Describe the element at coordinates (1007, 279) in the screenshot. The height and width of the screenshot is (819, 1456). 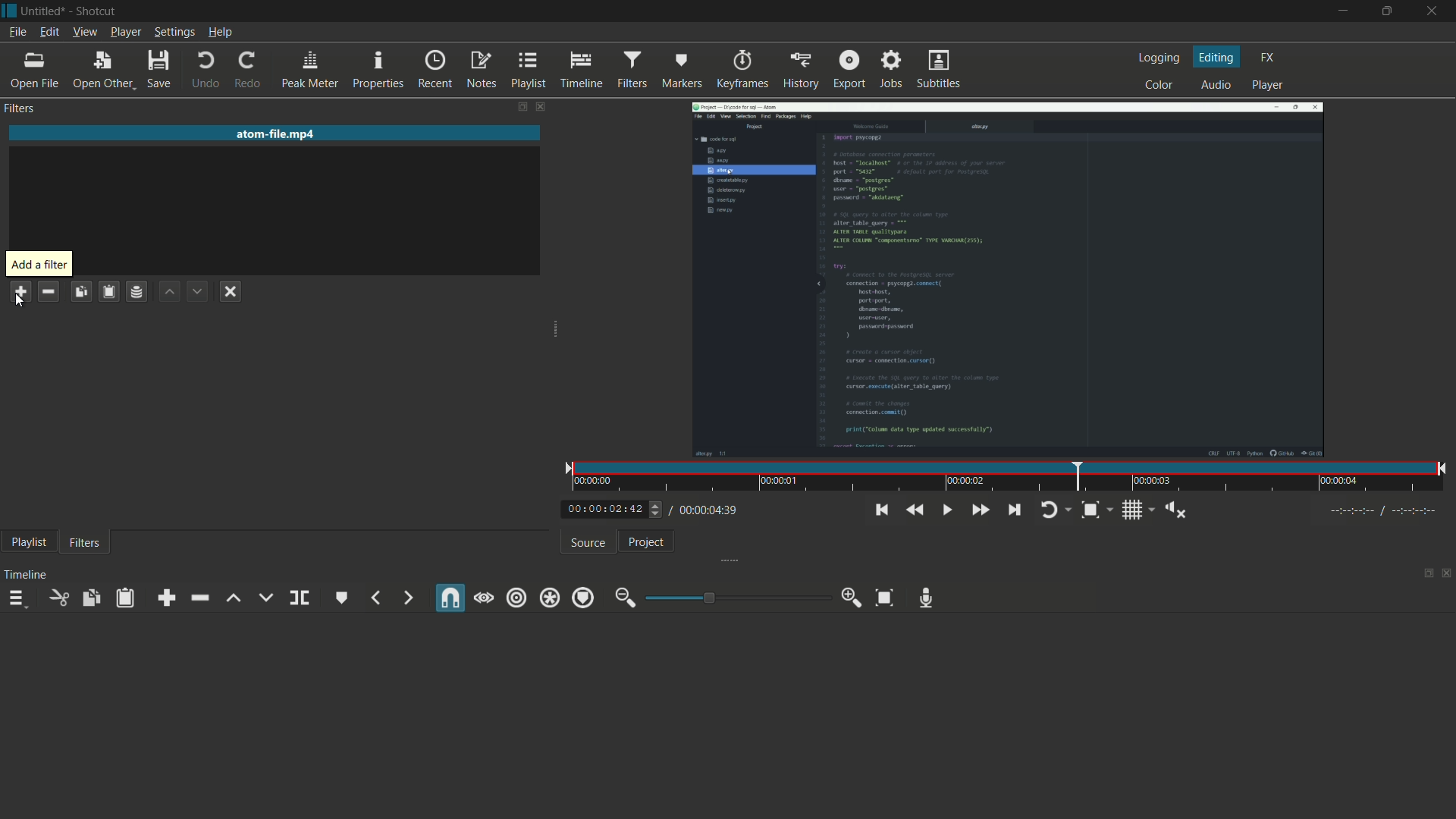
I see `imported video` at that location.